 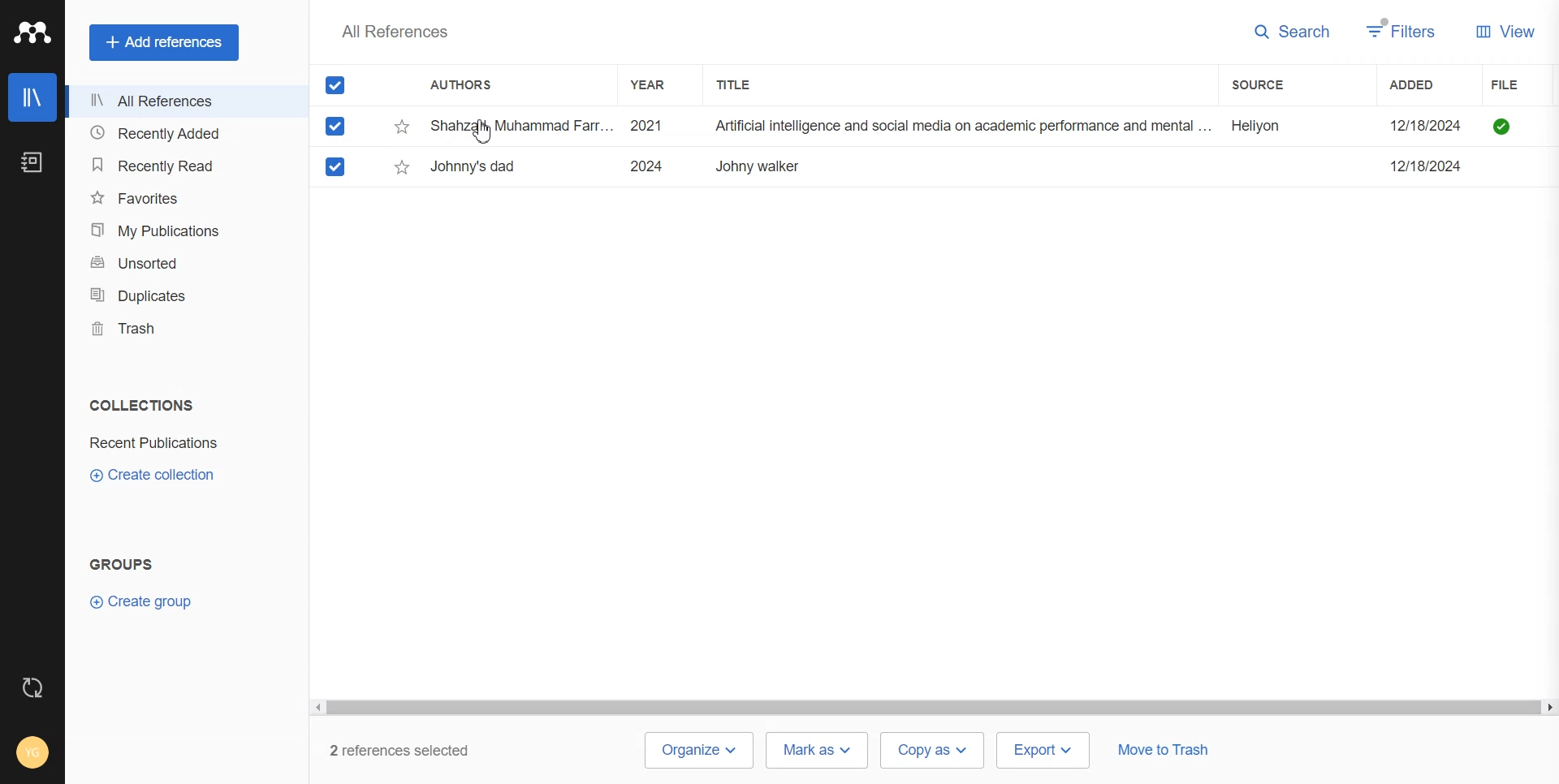 I want to click on Mark as, so click(x=817, y=749).